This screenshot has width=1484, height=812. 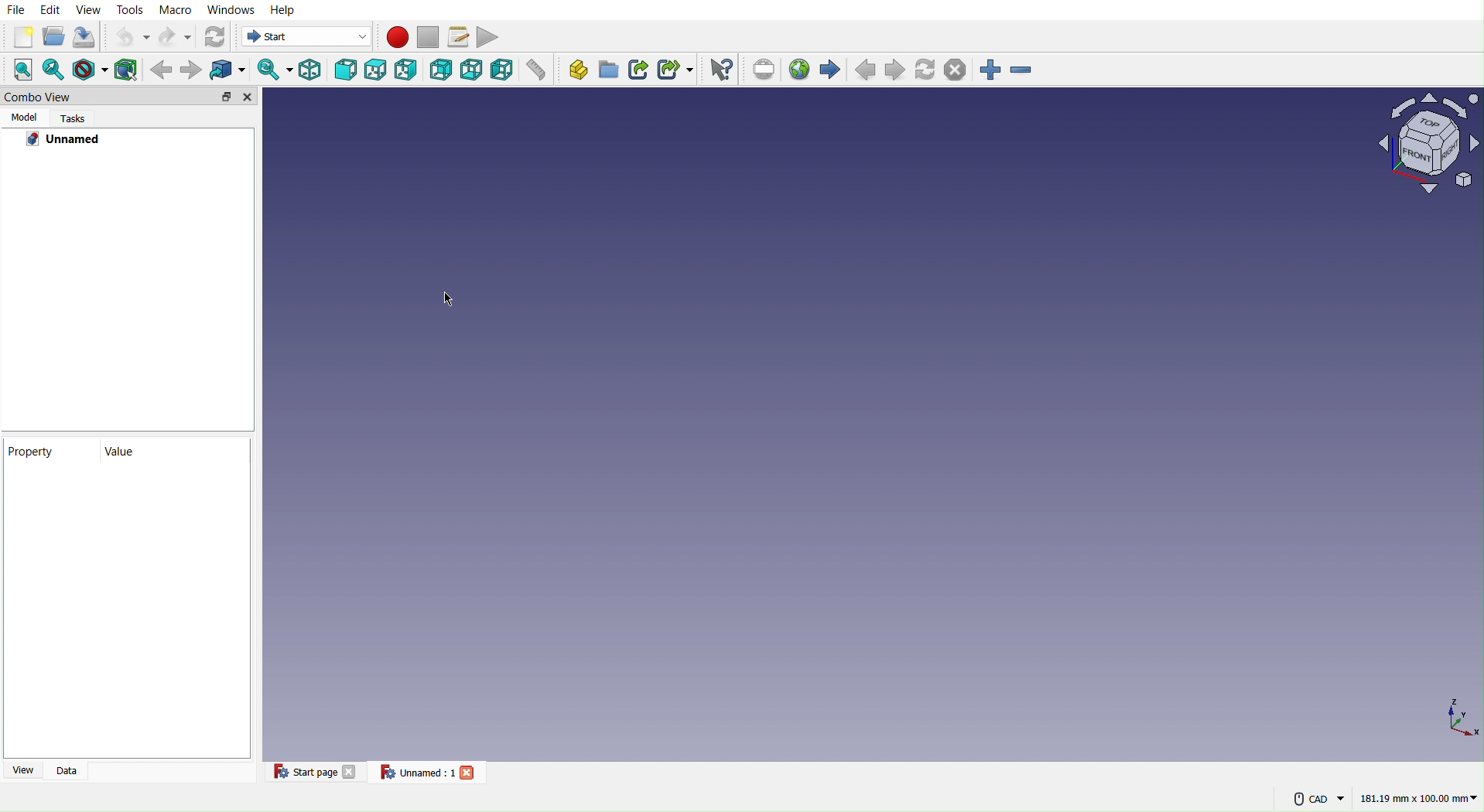 What do you see at coordinates (123, 292) in the screenshot?
I see `Model View` at bounding box center [123, 292].